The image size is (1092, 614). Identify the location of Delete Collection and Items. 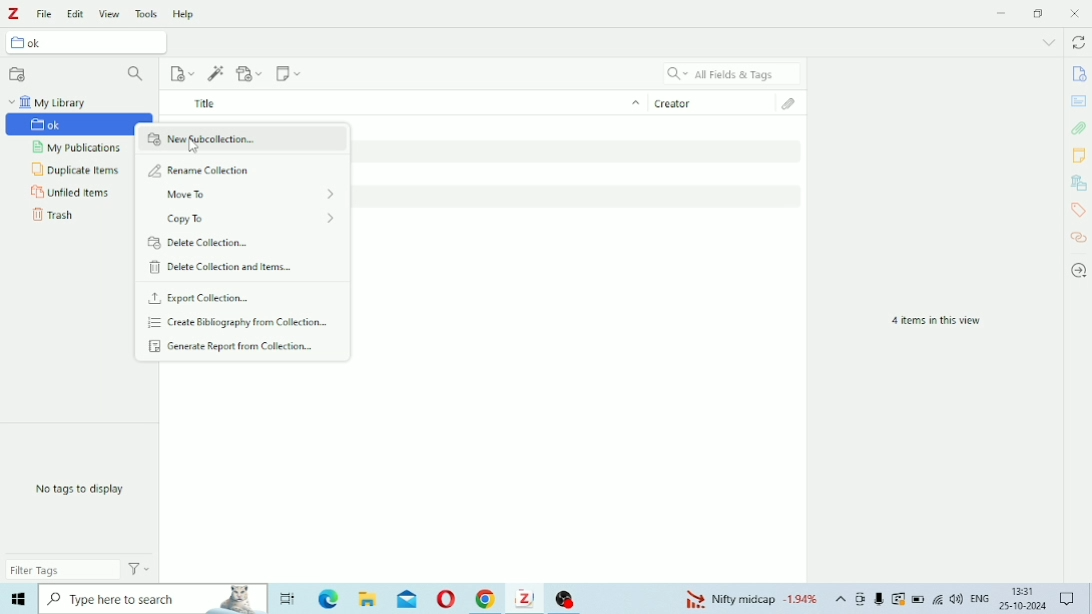
(224, 267).